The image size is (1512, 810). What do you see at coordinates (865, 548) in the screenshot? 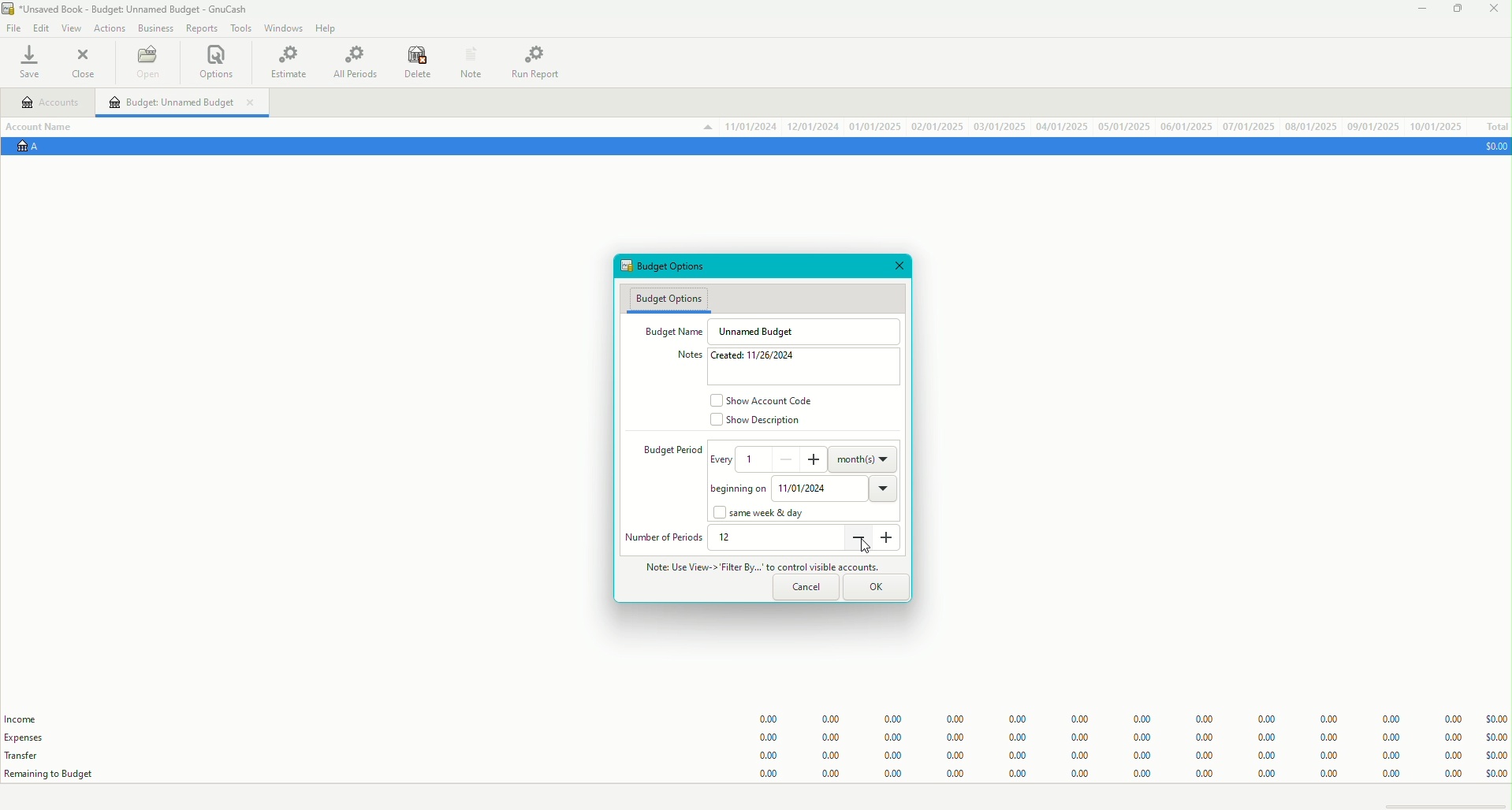
I see `cursor` at bounding box center [865, 548].